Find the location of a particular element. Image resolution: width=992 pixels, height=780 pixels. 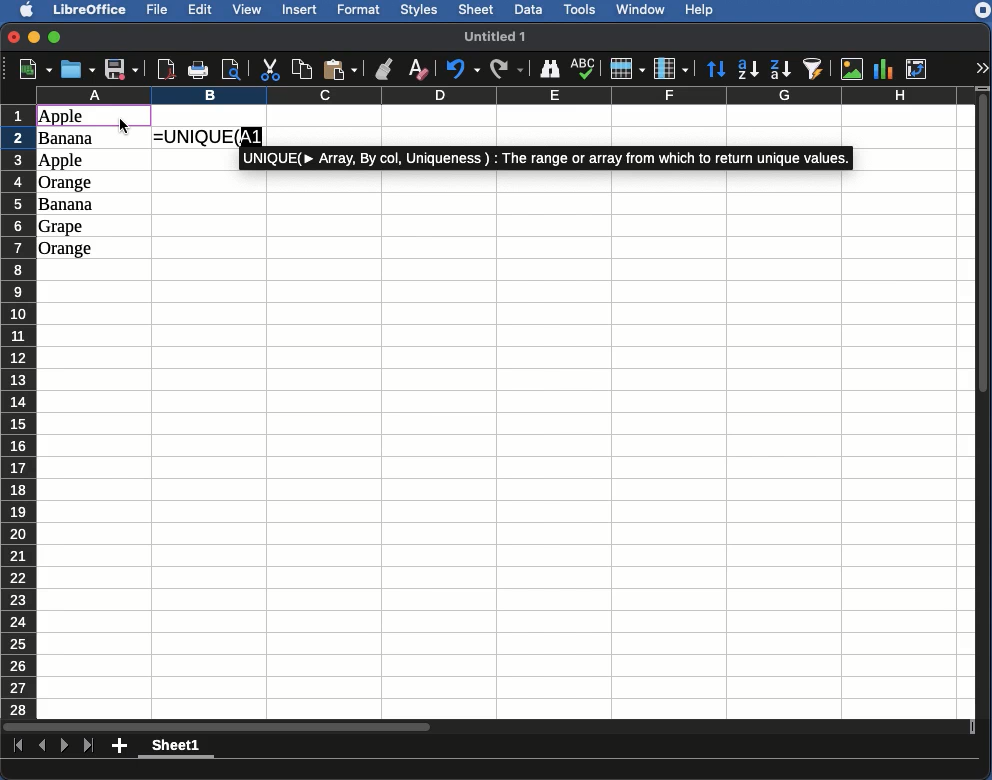

Paste is located at coordinates (342, 69).